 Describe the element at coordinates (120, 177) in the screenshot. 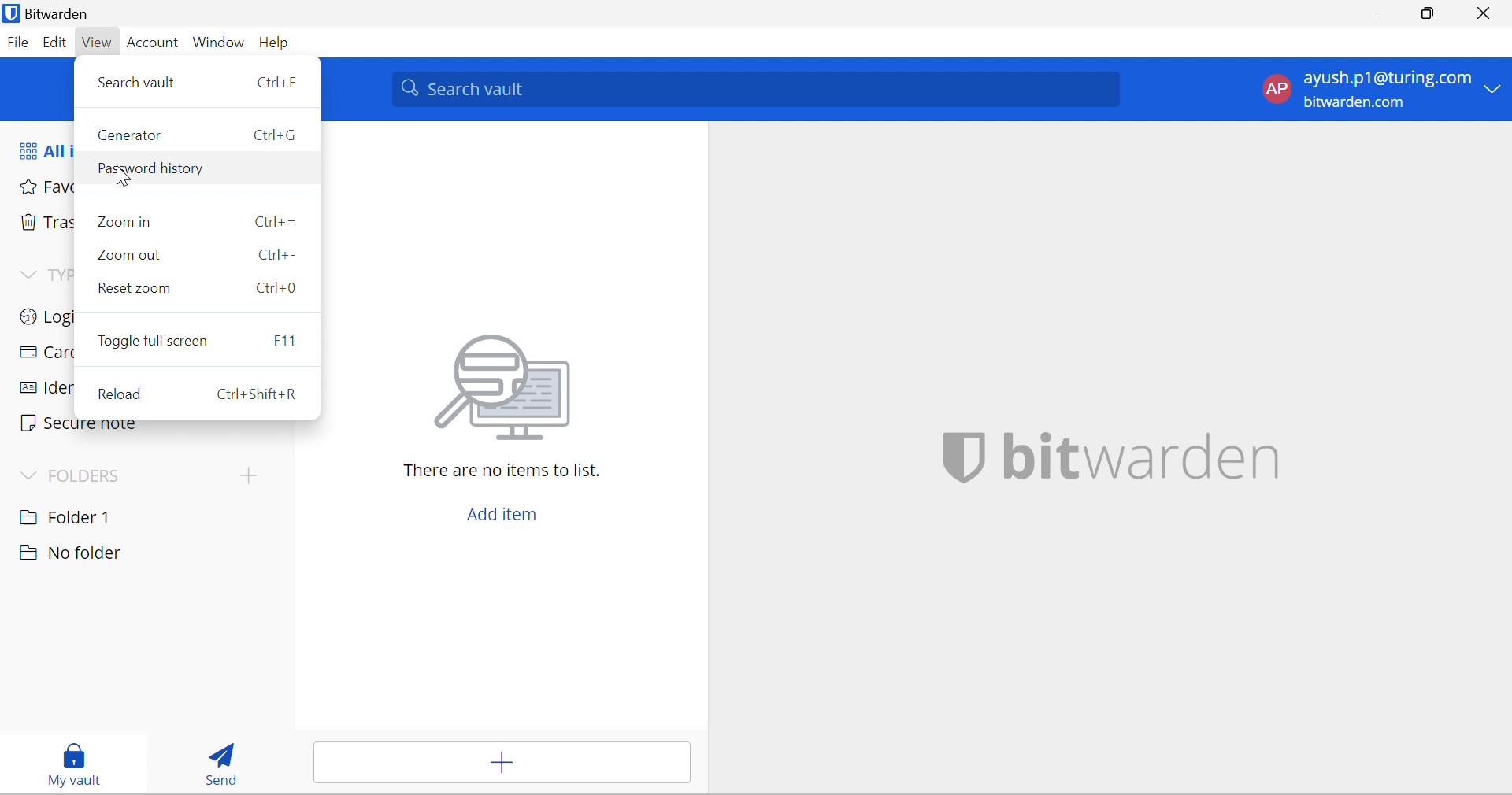

I see `cursor` at that location.